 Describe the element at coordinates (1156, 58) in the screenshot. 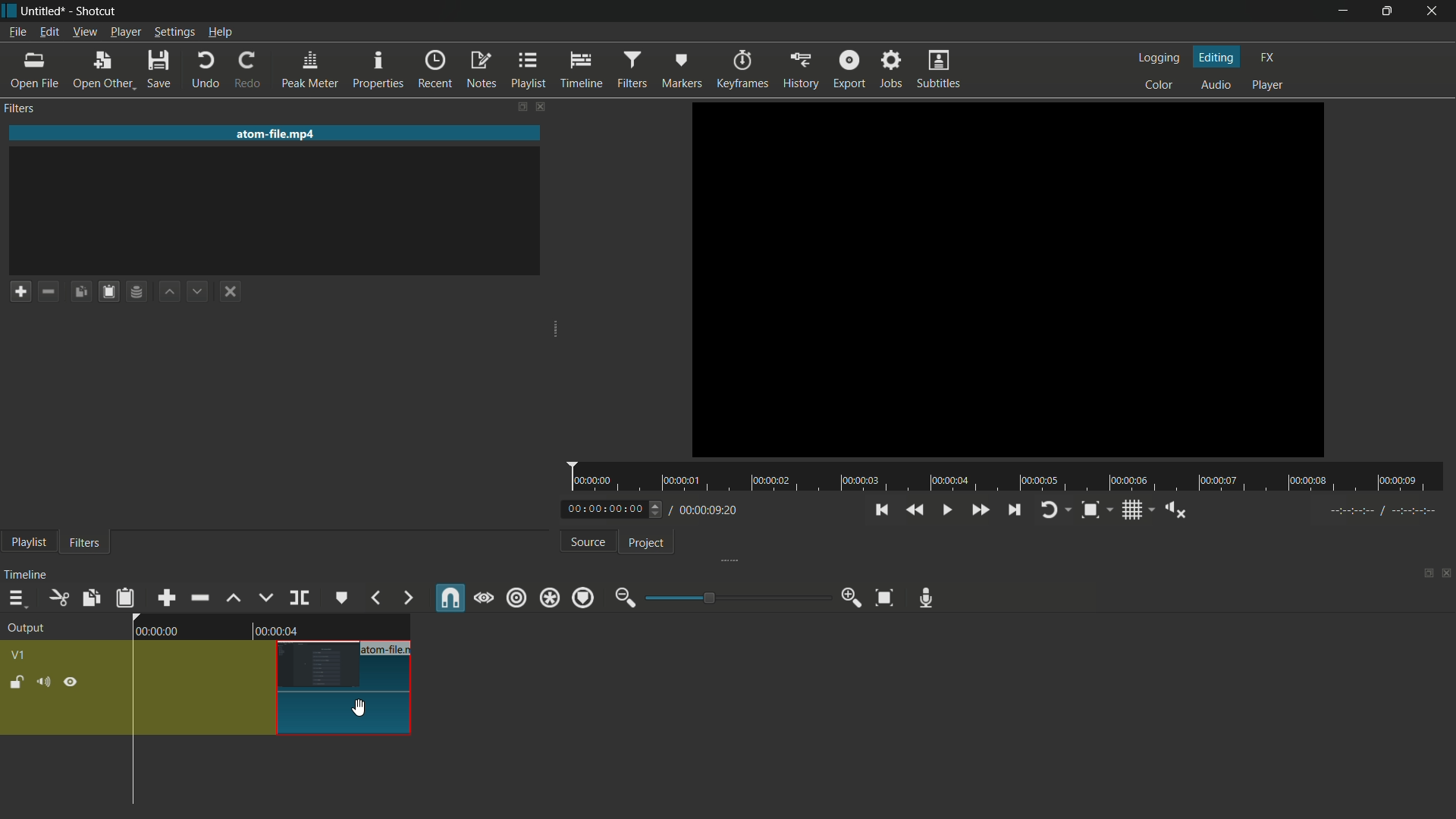

I see `logging` at that location.